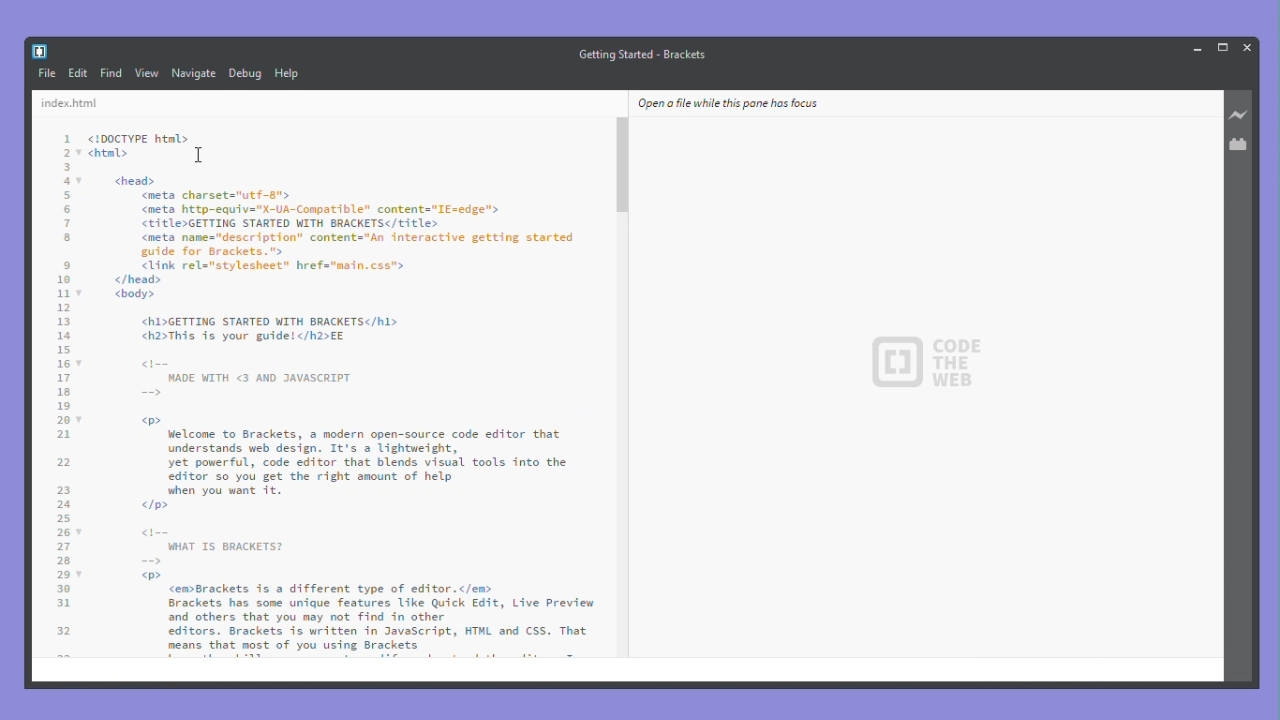 Image resolution: width=1280 pixels, height=720 pixels. Describe the element at coordinates (68, 140) in the screenshot. I see `1` at that location.